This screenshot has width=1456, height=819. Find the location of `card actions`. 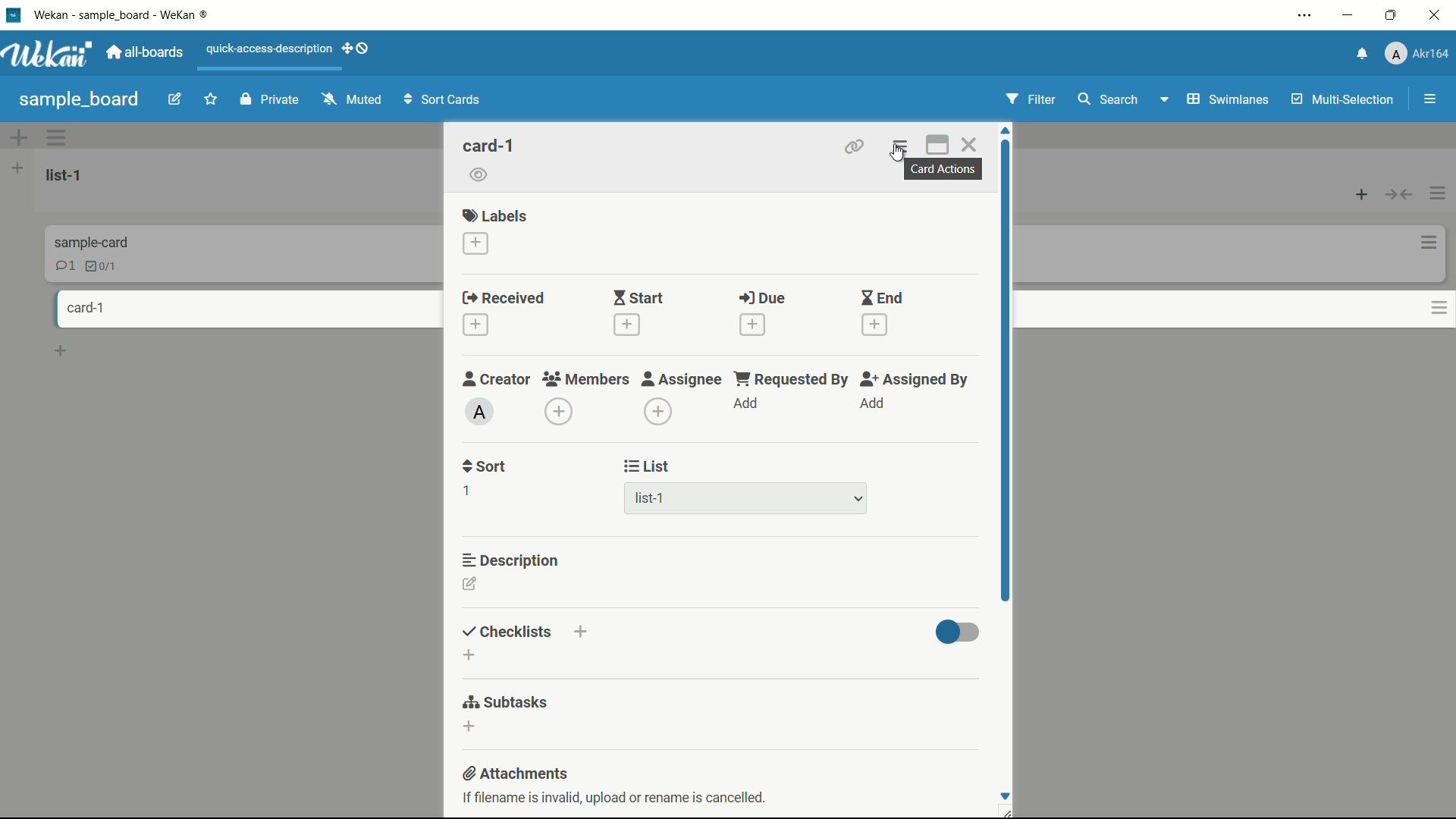

card actions is located at coordinates (945, 169).